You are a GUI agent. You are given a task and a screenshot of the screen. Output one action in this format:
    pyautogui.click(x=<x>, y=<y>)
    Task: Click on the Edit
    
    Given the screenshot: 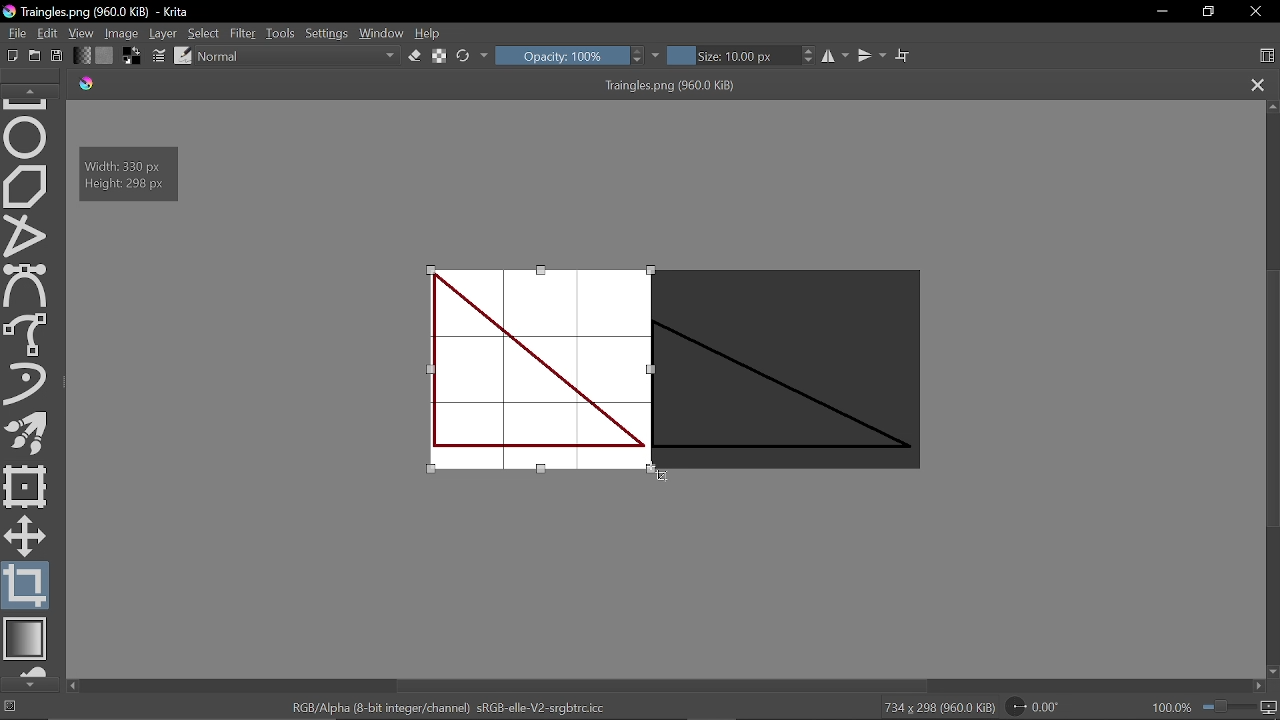 What is the action you would take?
    pyautogui.click(x=49, y=34)
    